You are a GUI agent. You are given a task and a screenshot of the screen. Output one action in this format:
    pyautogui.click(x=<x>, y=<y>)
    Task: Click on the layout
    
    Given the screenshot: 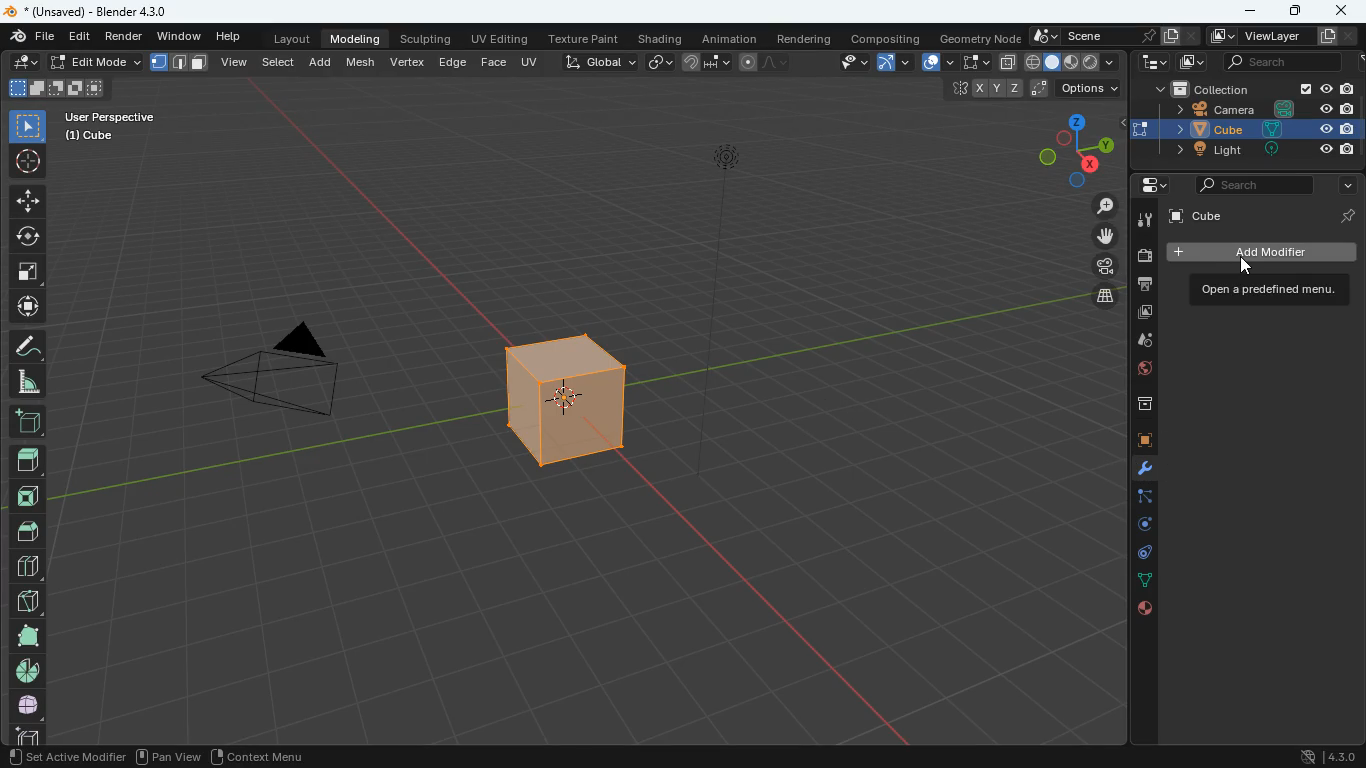 What is the action you would take?
    pyautogui.click(x=295, y=37)
    